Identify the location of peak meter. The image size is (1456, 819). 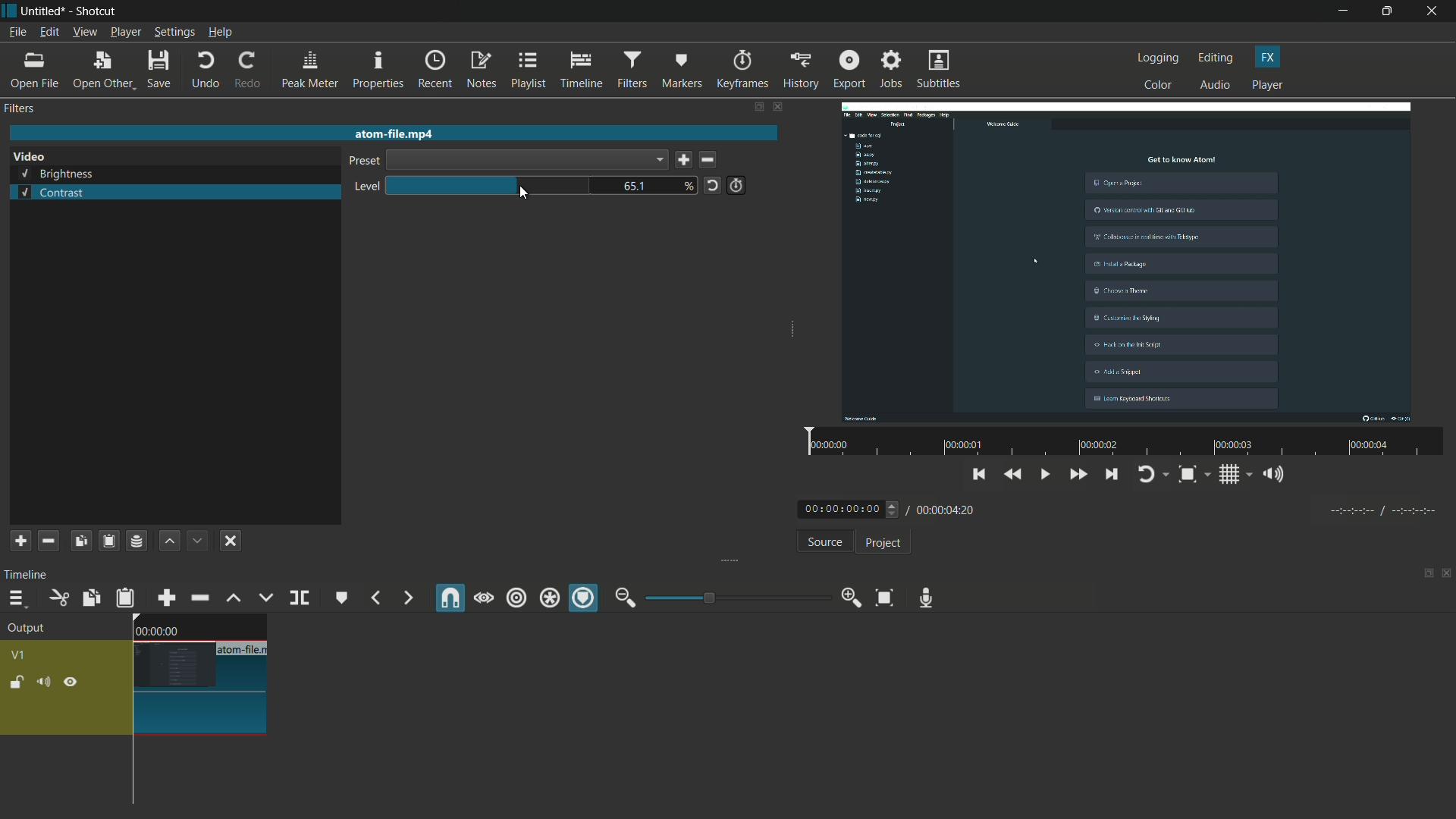
(309, 70).